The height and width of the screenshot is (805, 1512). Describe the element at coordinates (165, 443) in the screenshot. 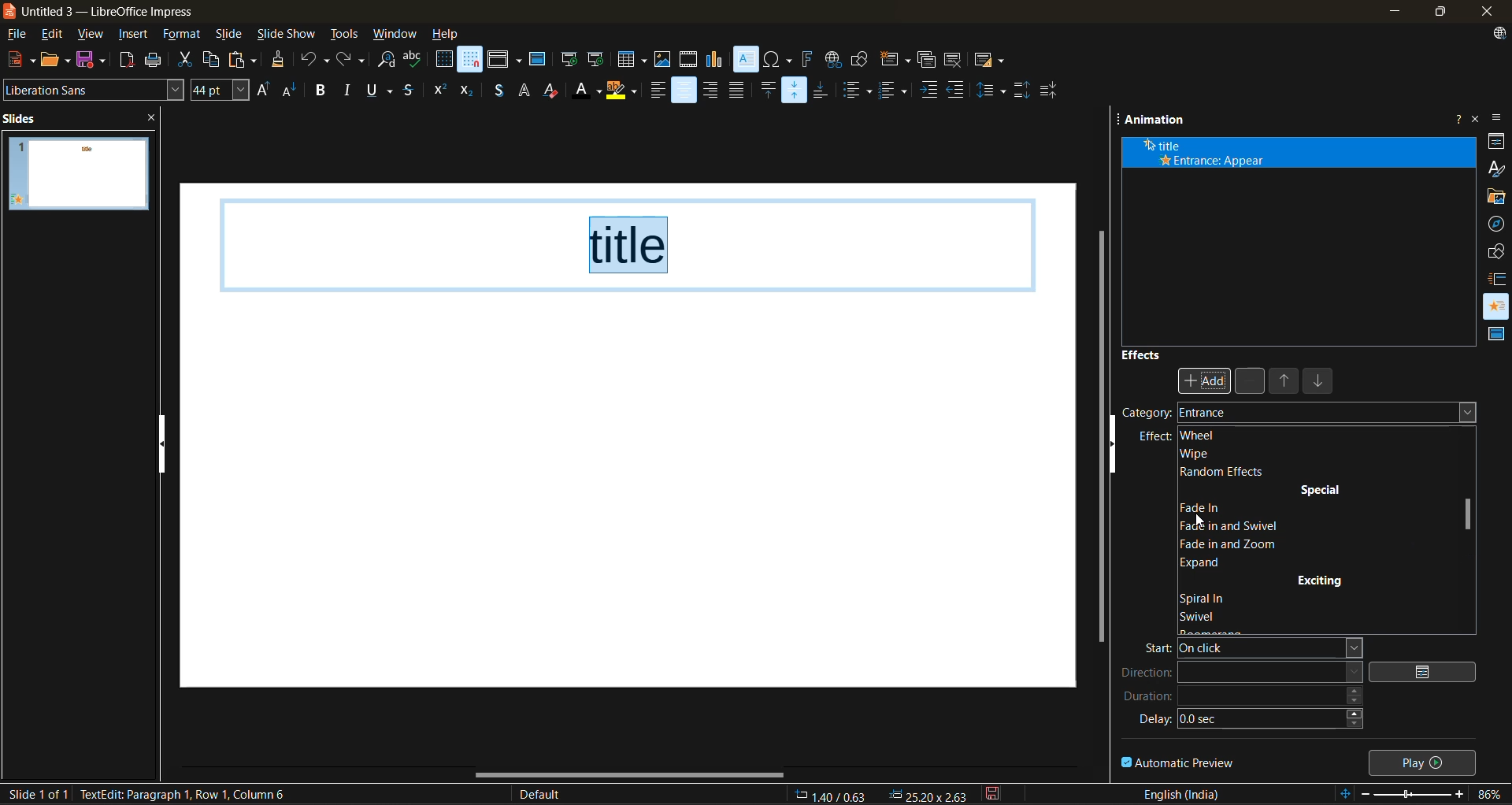

I see `hide` at that location.